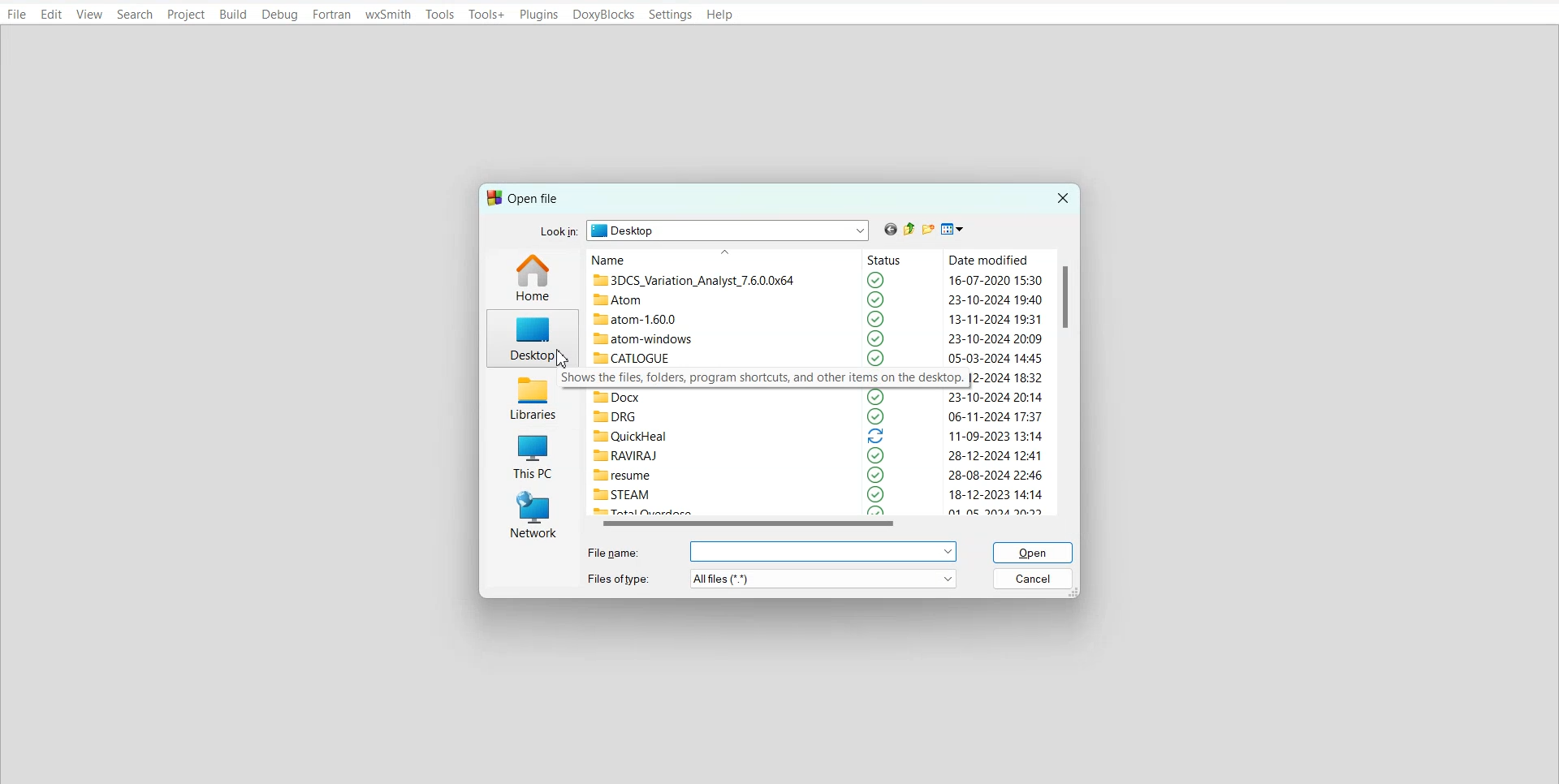 This screenshot has height=784, width=1559. What do you see at coordinates (994, 282) in the screenshot?
I see `16-07-2020 15:30` at bounding box center [994, 282].